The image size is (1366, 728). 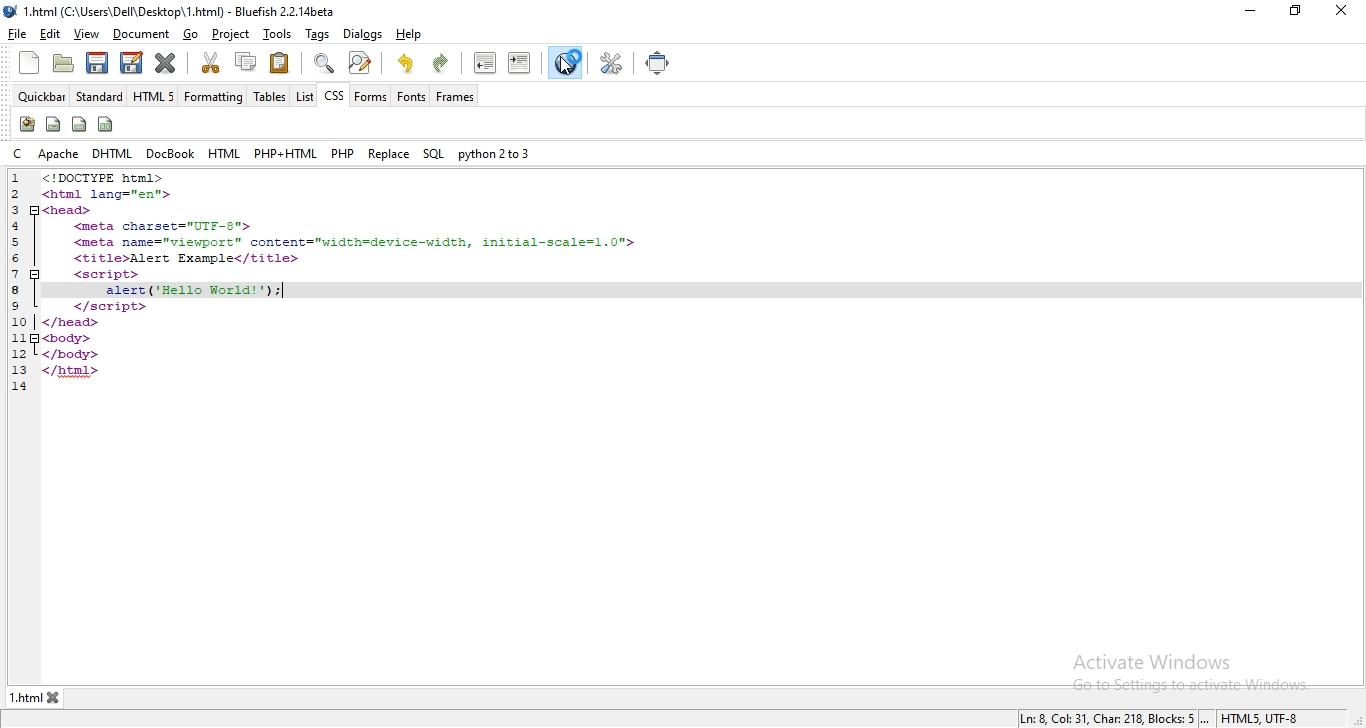 What do you see at coordinates (57, 698) in the screenshot?
I see `close` at bounding box center [57, 698].